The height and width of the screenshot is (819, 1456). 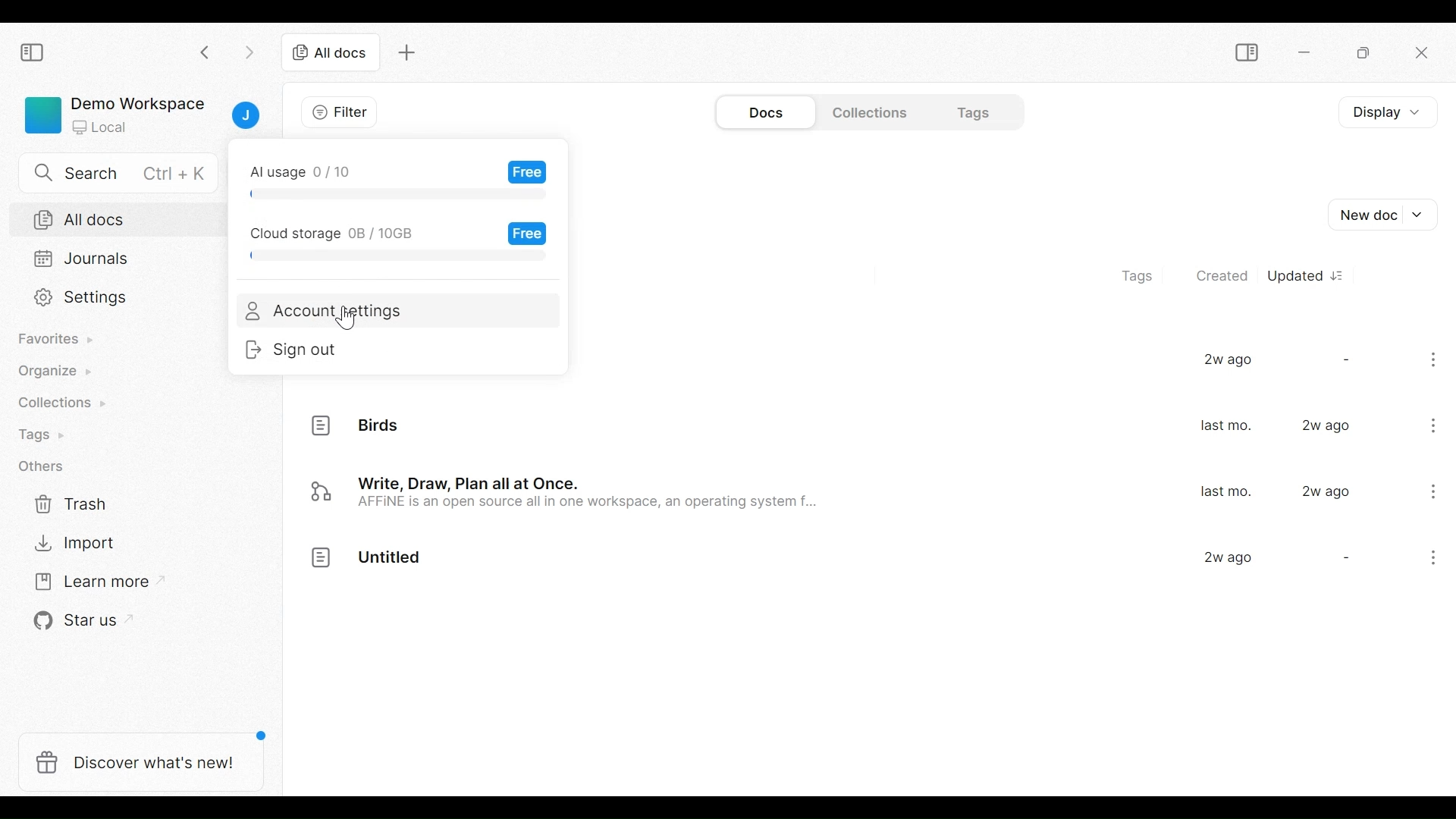 I want to click on Journal, so click(x=121, y=260).